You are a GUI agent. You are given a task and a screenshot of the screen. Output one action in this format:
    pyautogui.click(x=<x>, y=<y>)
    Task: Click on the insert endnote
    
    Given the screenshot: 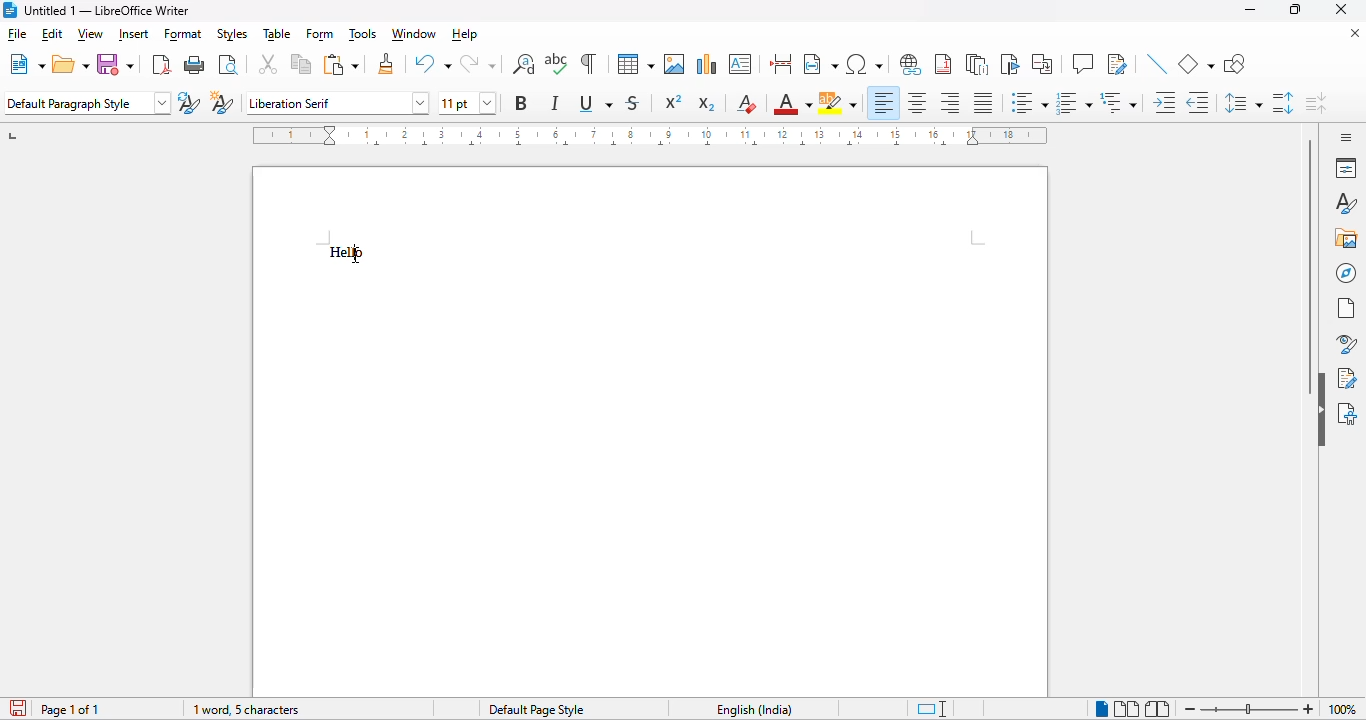 What is the action you would take?
    pyautogui.click(x=978, y=66)
    